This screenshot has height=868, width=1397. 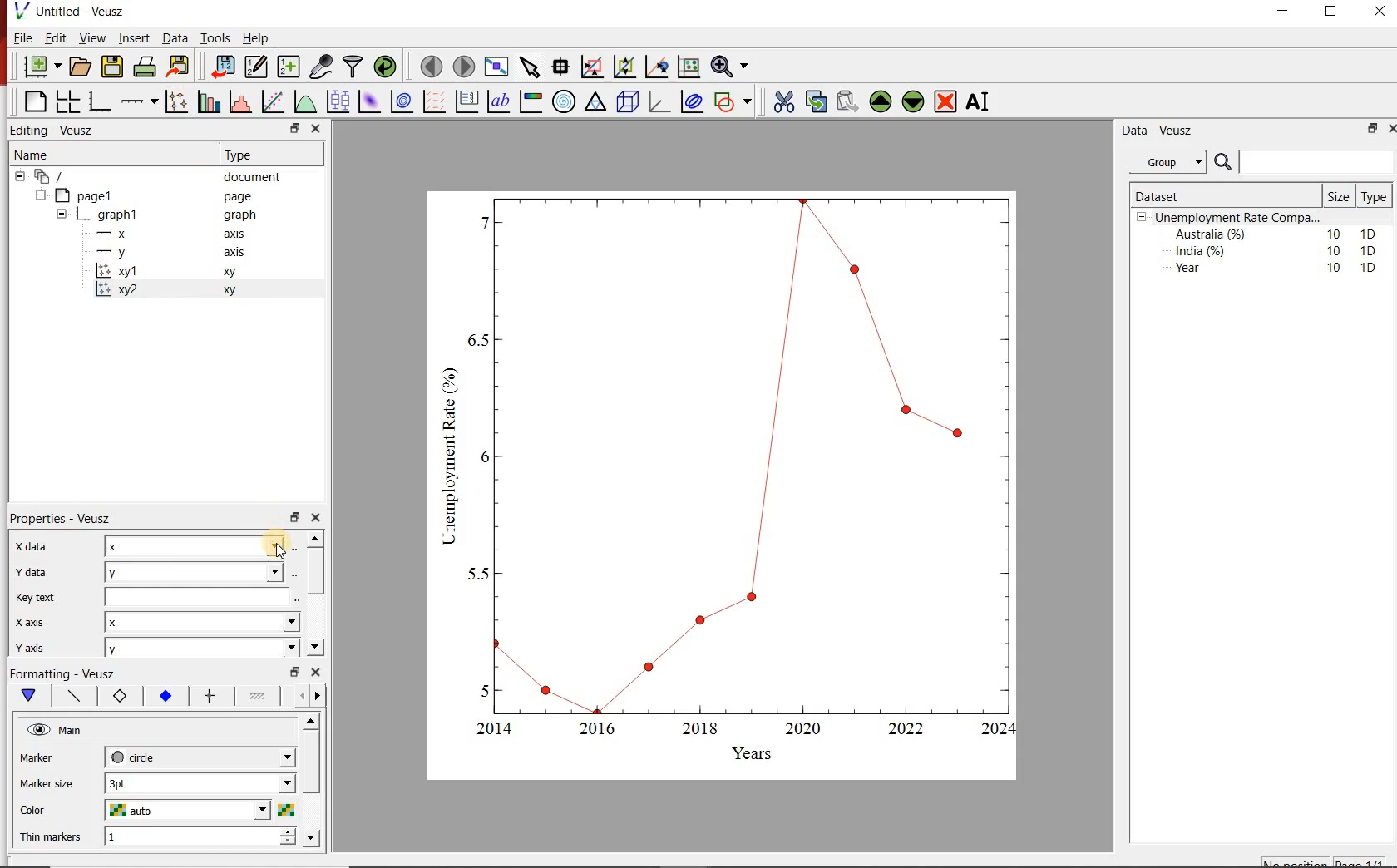 What do you see at coordinates (190, 811) in the screenshot?
I see `auto` at bounding box center [190, 811].